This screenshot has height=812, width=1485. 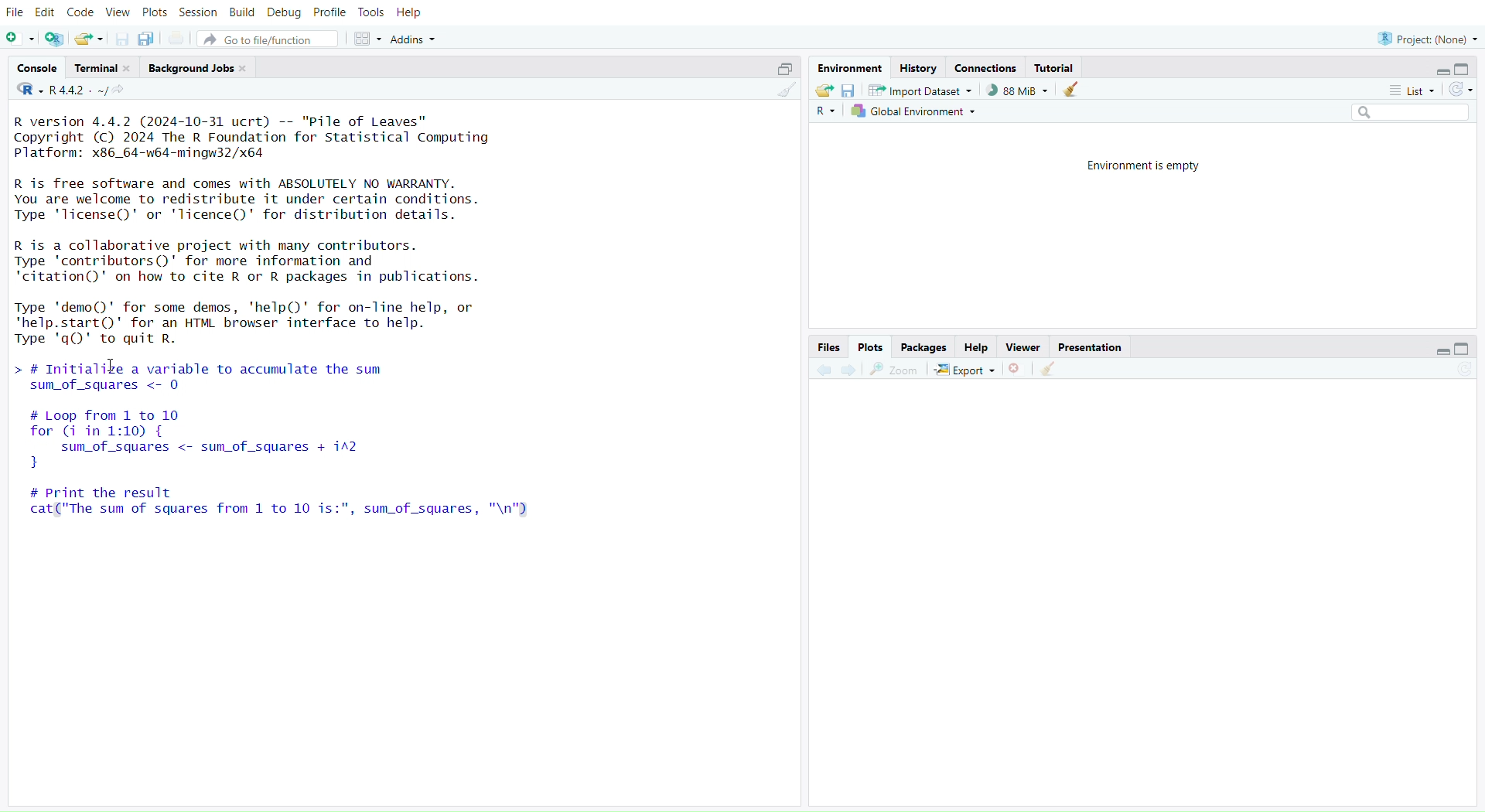 What do you see at coordinates (91, 40) in the screenshot?
I see `open an existing file` at bounding box center [91, 40].